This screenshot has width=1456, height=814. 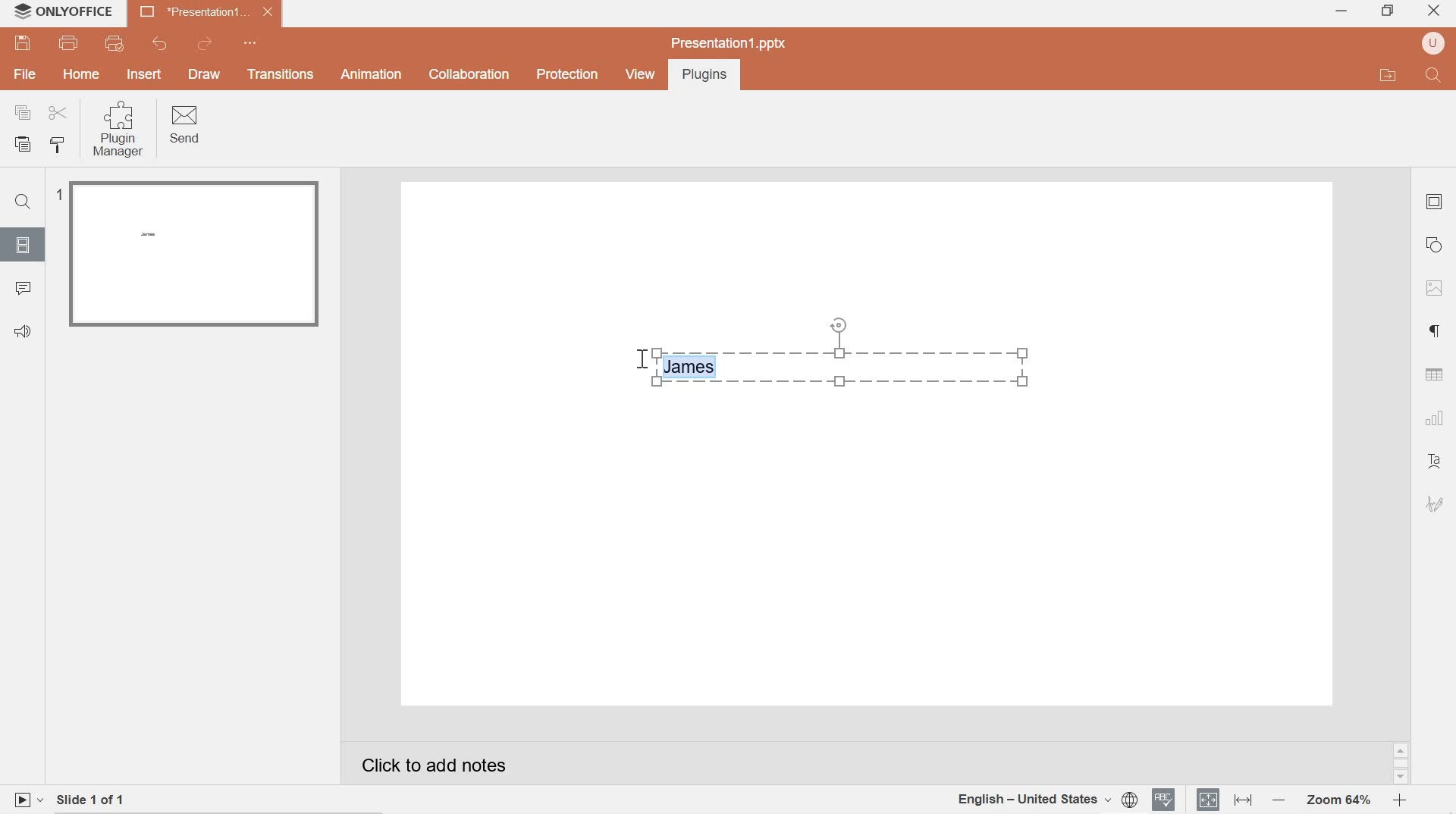 What do you see at coordinates (1046, 797) in the screenshot?
I see `document language` at bounding box center [1046, 797].